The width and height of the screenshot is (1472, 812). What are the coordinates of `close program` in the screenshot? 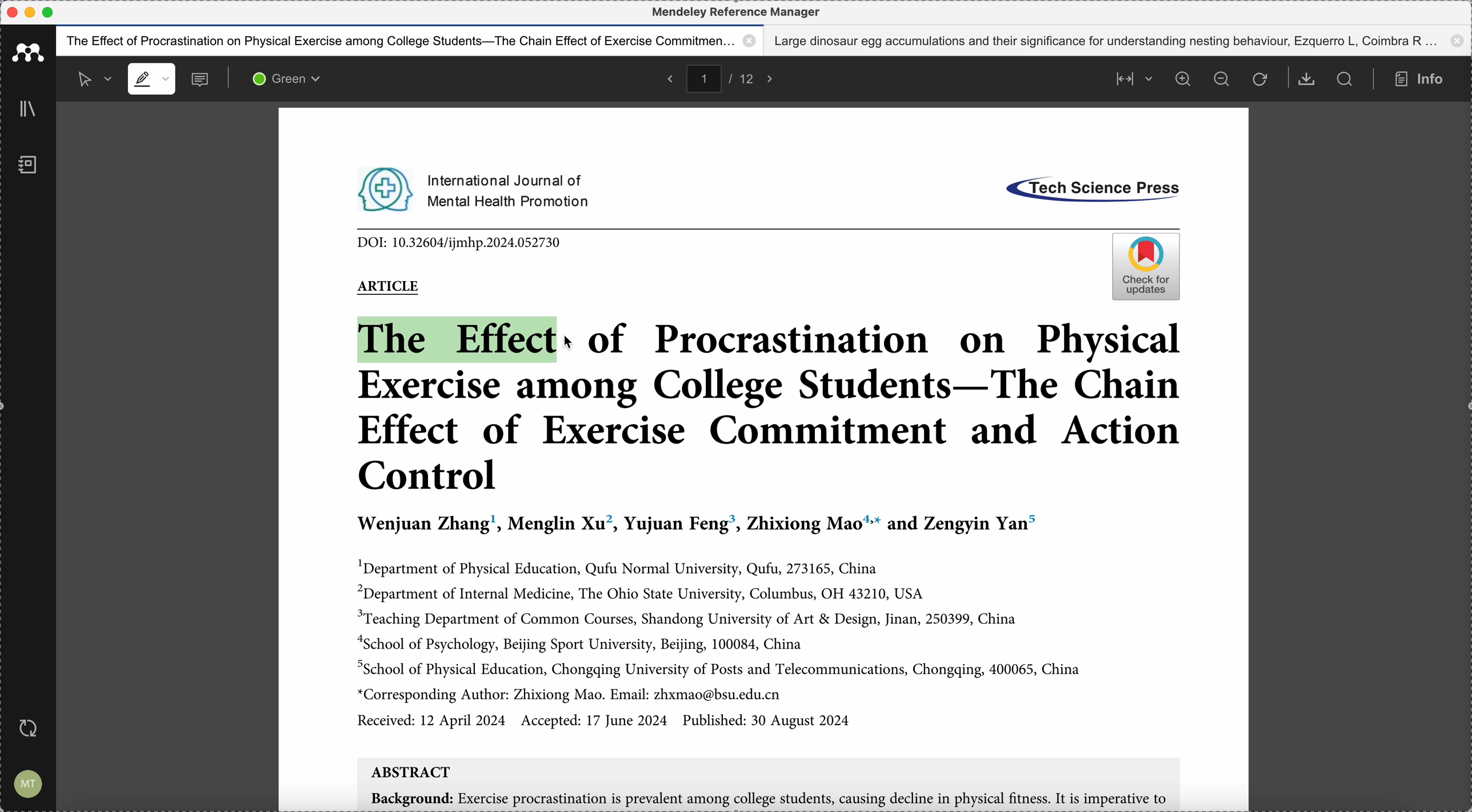 It's located at (11, 13).